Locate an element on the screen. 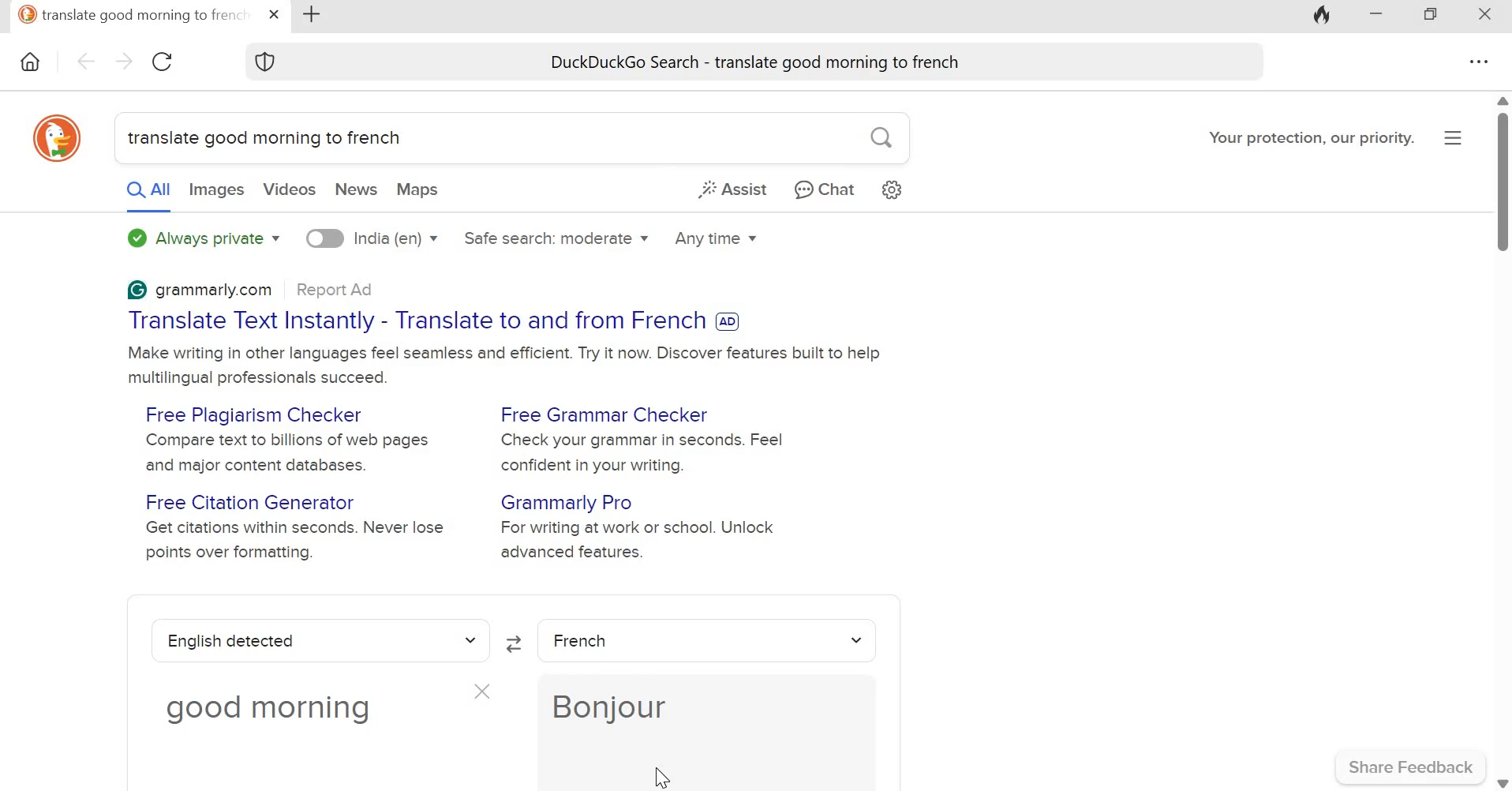  Safe search: moderate is located at coordinates (558, 238).